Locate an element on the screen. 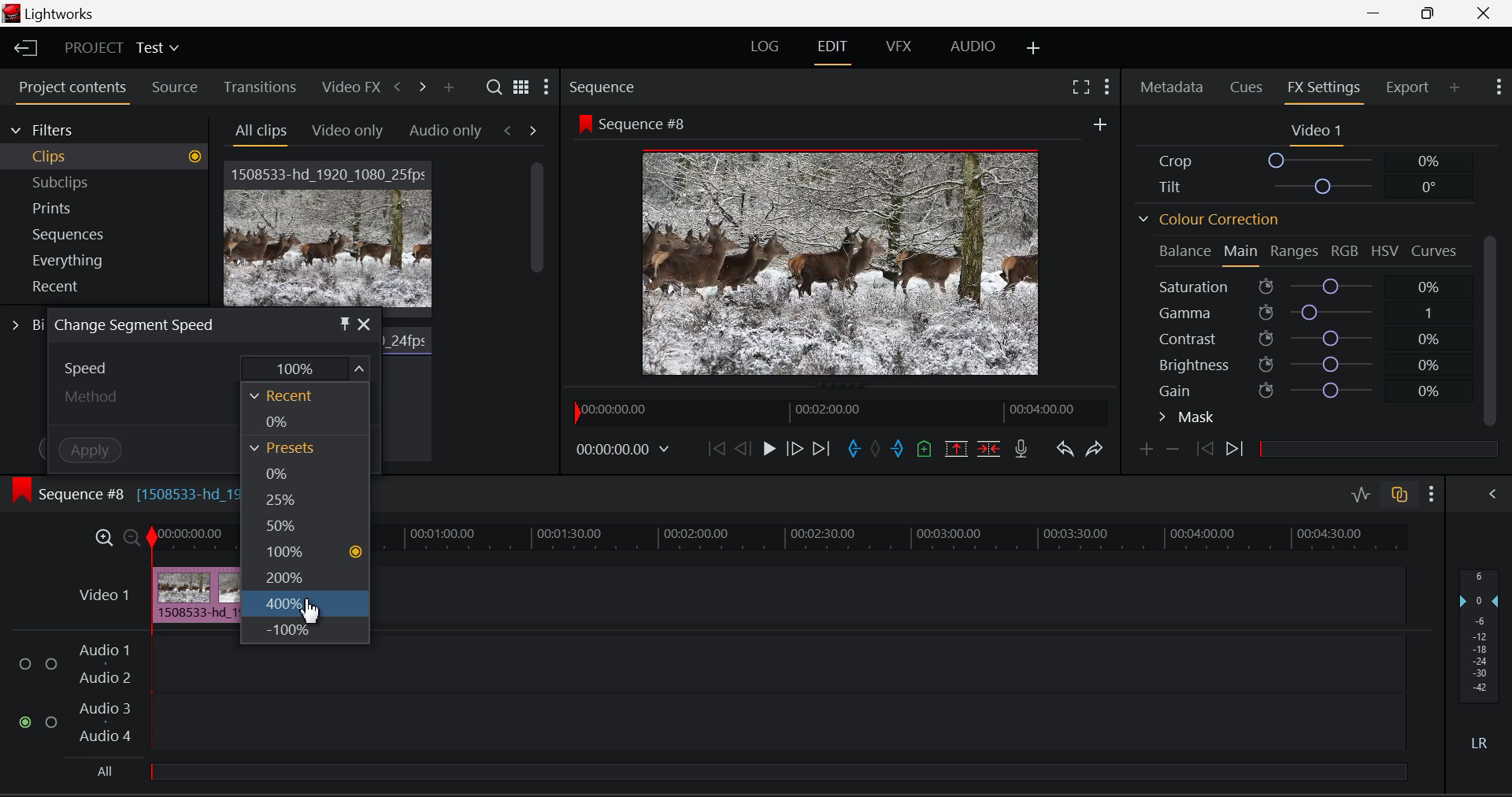 This screenshot has width=1512, height=797. Prints is located at coordinates (113, 210).